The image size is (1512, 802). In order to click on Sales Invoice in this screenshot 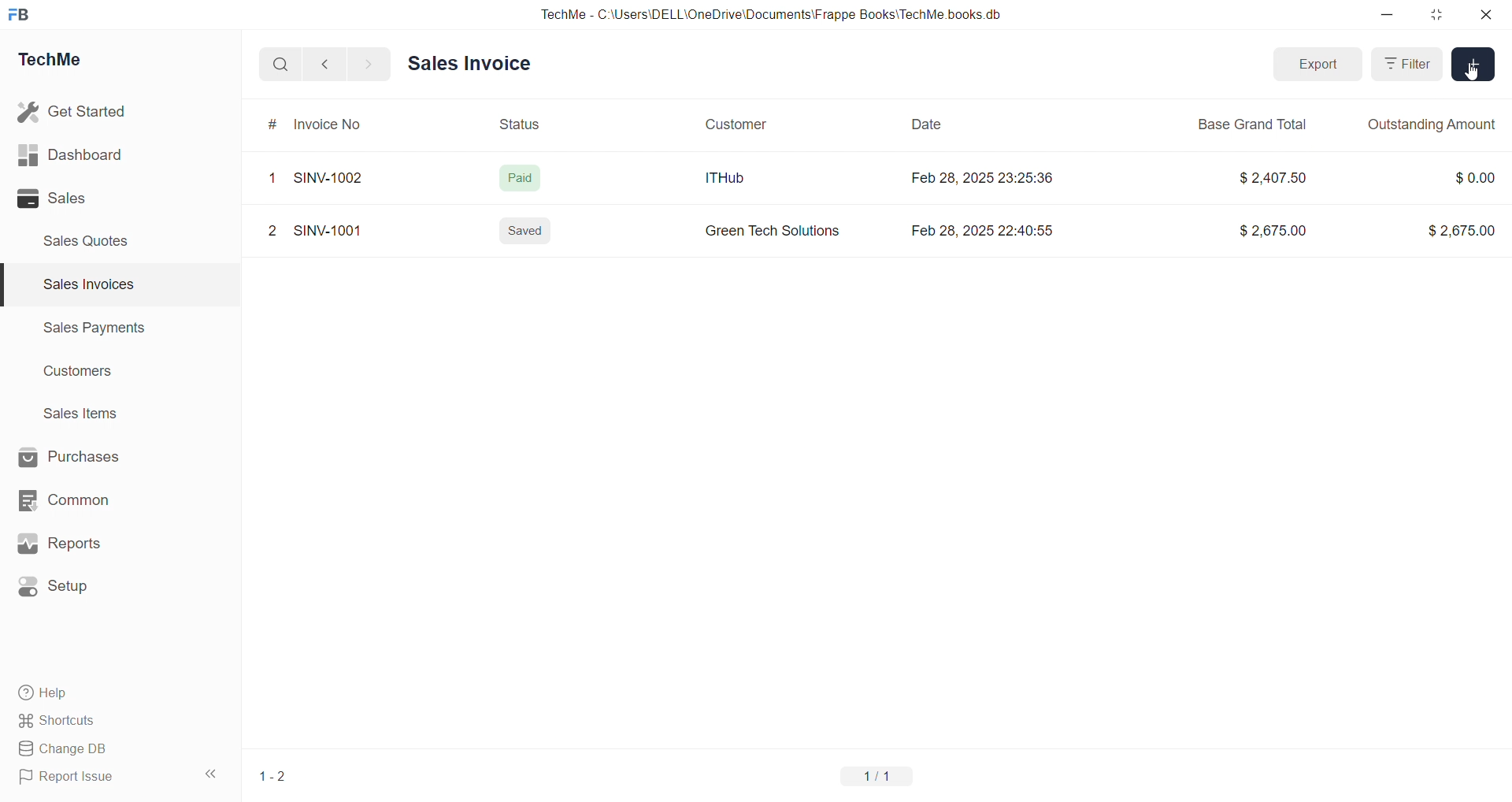, I will do `click(473, 62)`.